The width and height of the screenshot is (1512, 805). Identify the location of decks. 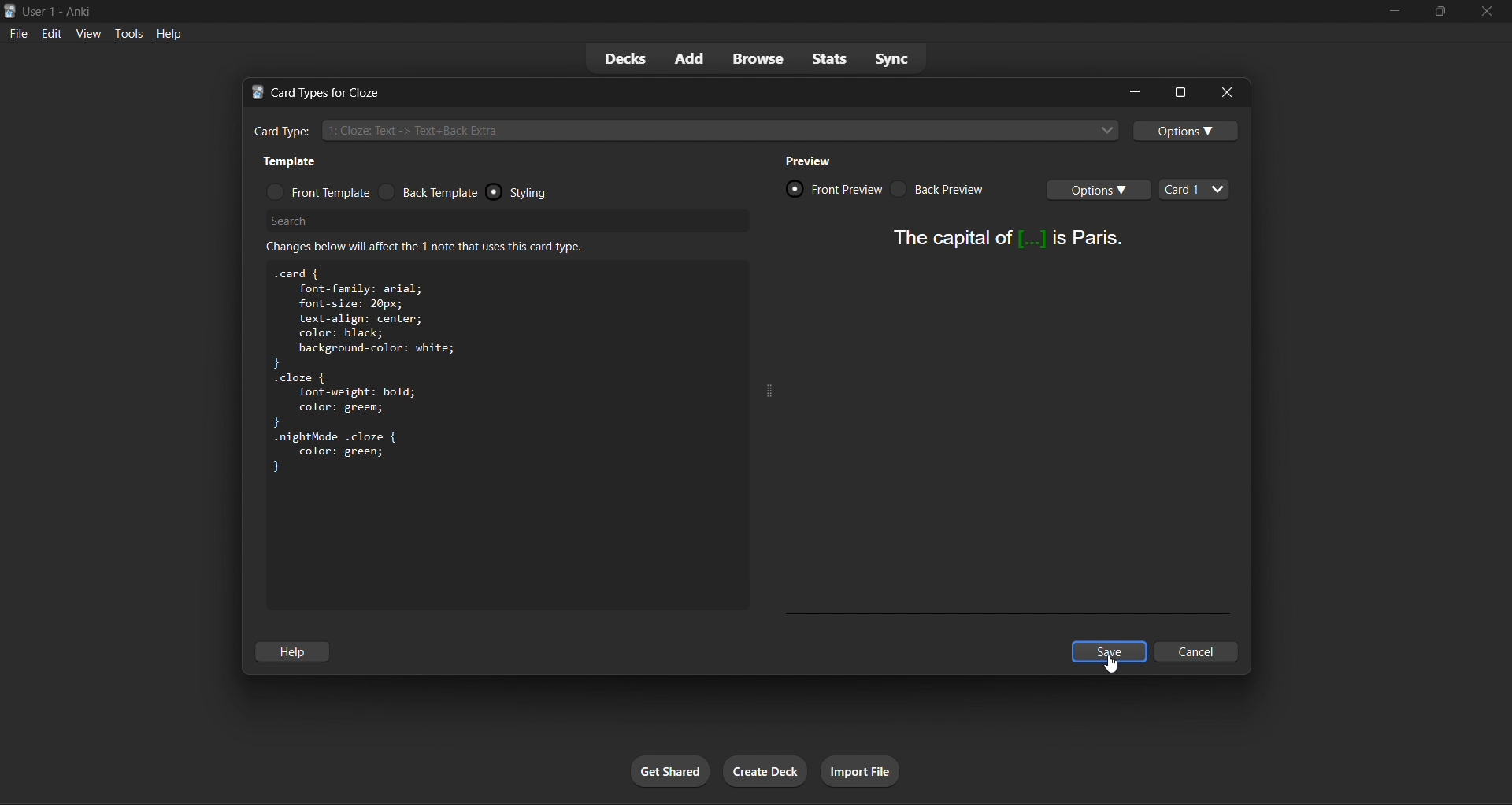
(622, 58).